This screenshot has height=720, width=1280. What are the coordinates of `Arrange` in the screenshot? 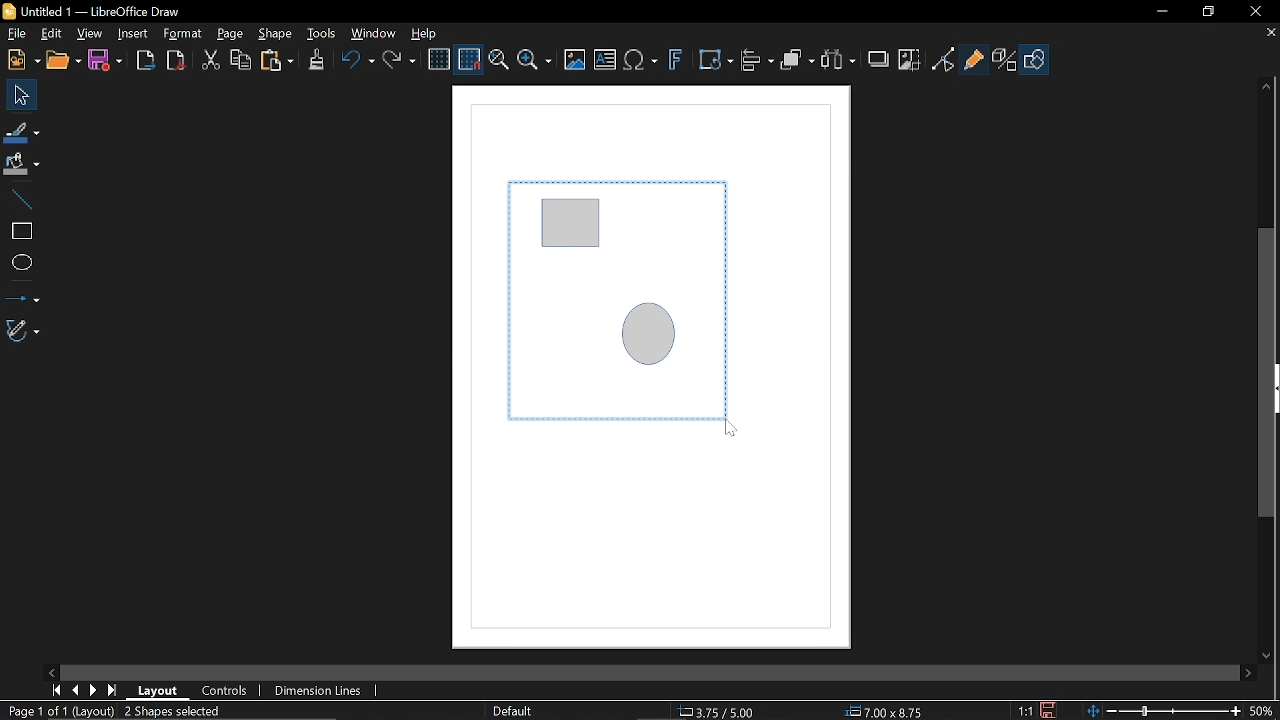 It's located at (799, 61).